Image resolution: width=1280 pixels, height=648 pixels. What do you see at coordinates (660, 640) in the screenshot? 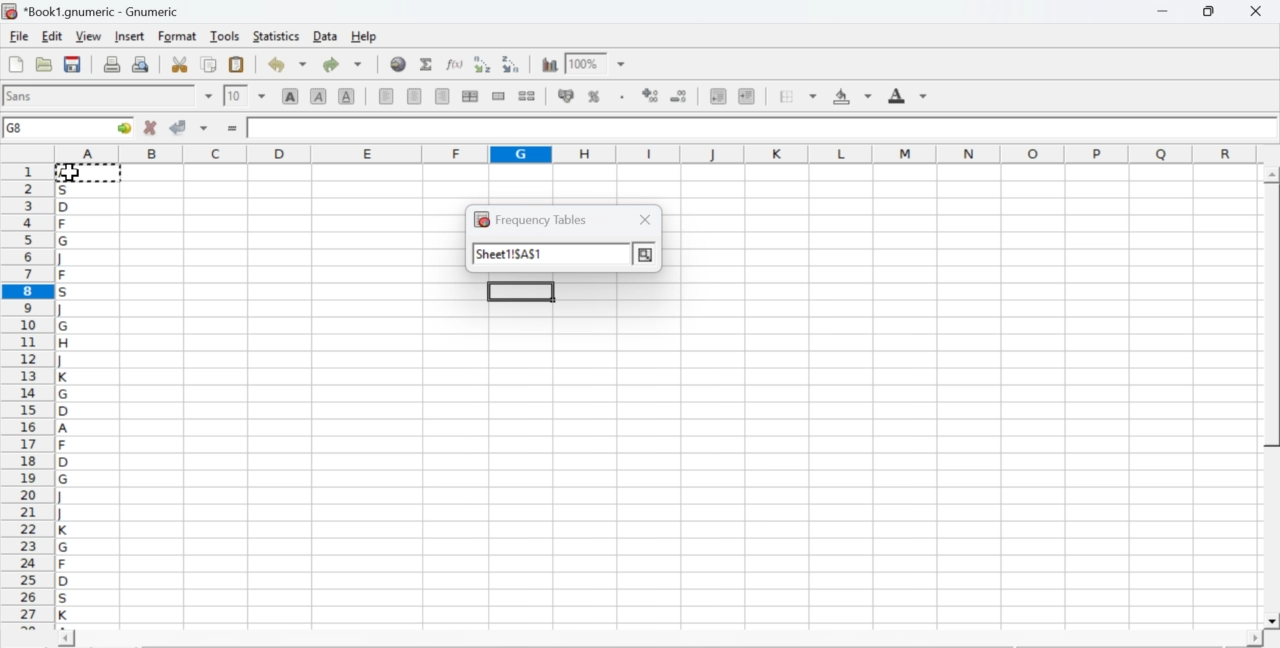
I see `scroll bar` at bounding box center [660, 640].